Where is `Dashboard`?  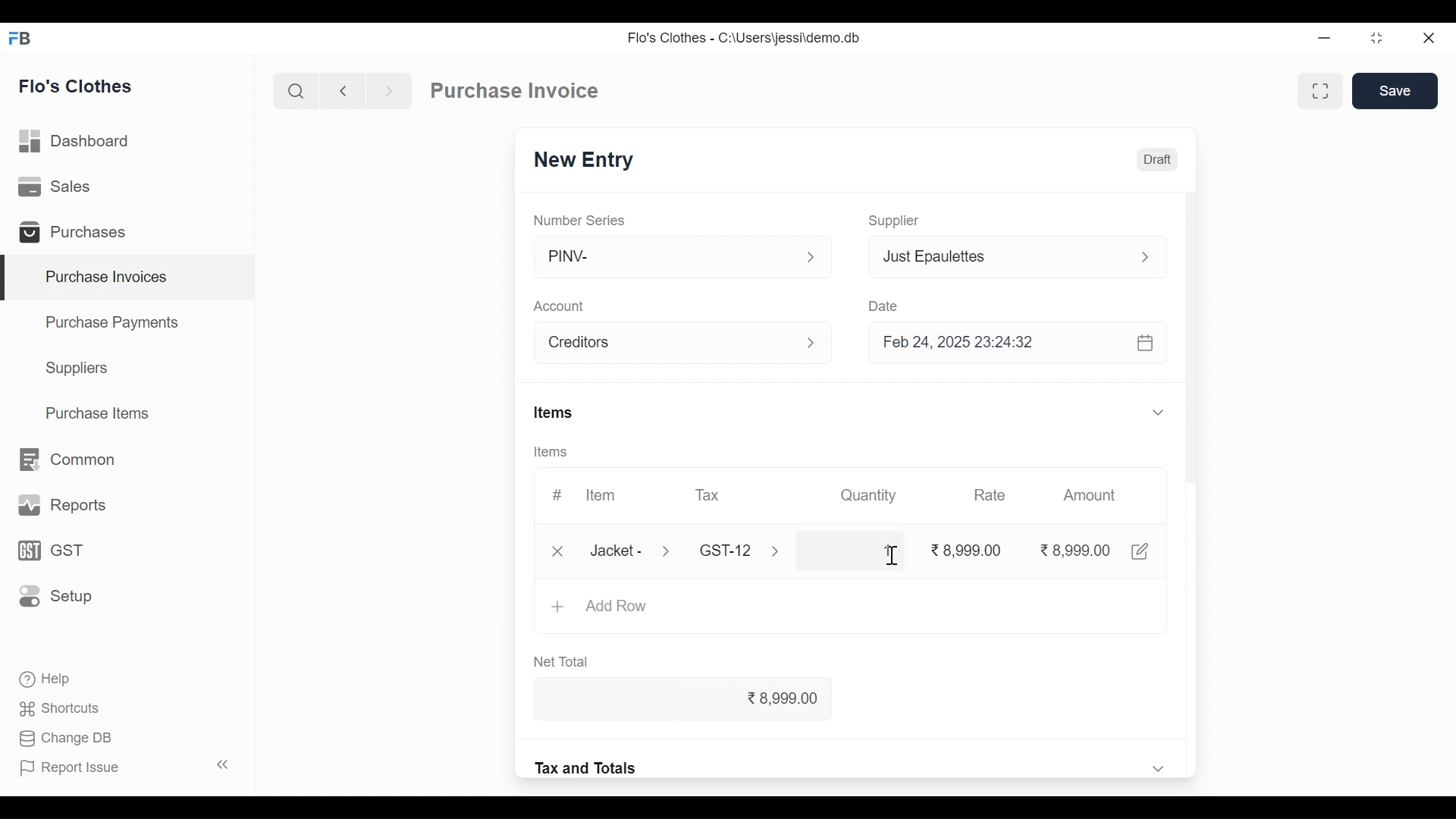
Dashboard is located at coordinates (82, 142).